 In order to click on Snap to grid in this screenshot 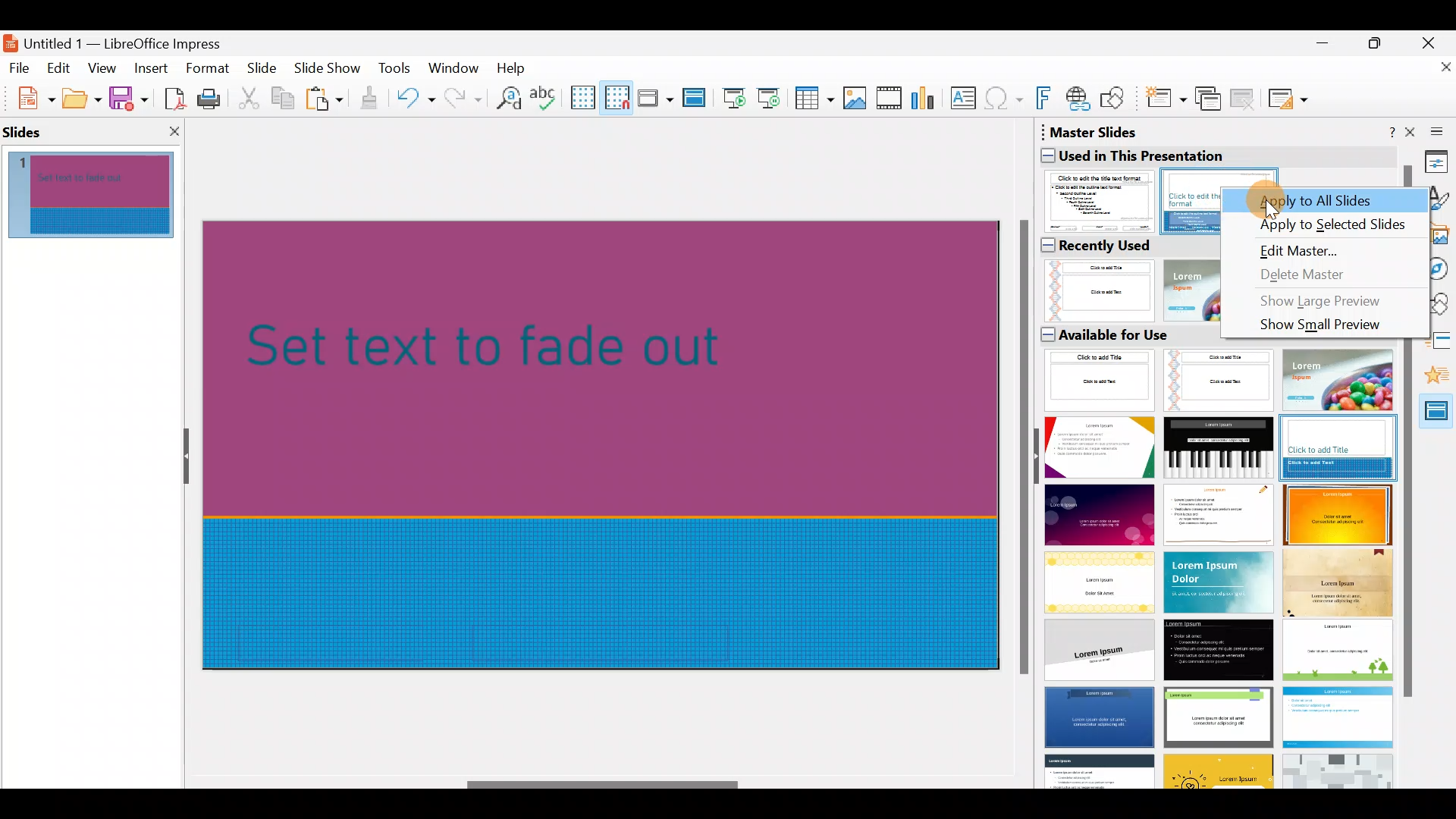, I will do `click(614, 97)`.